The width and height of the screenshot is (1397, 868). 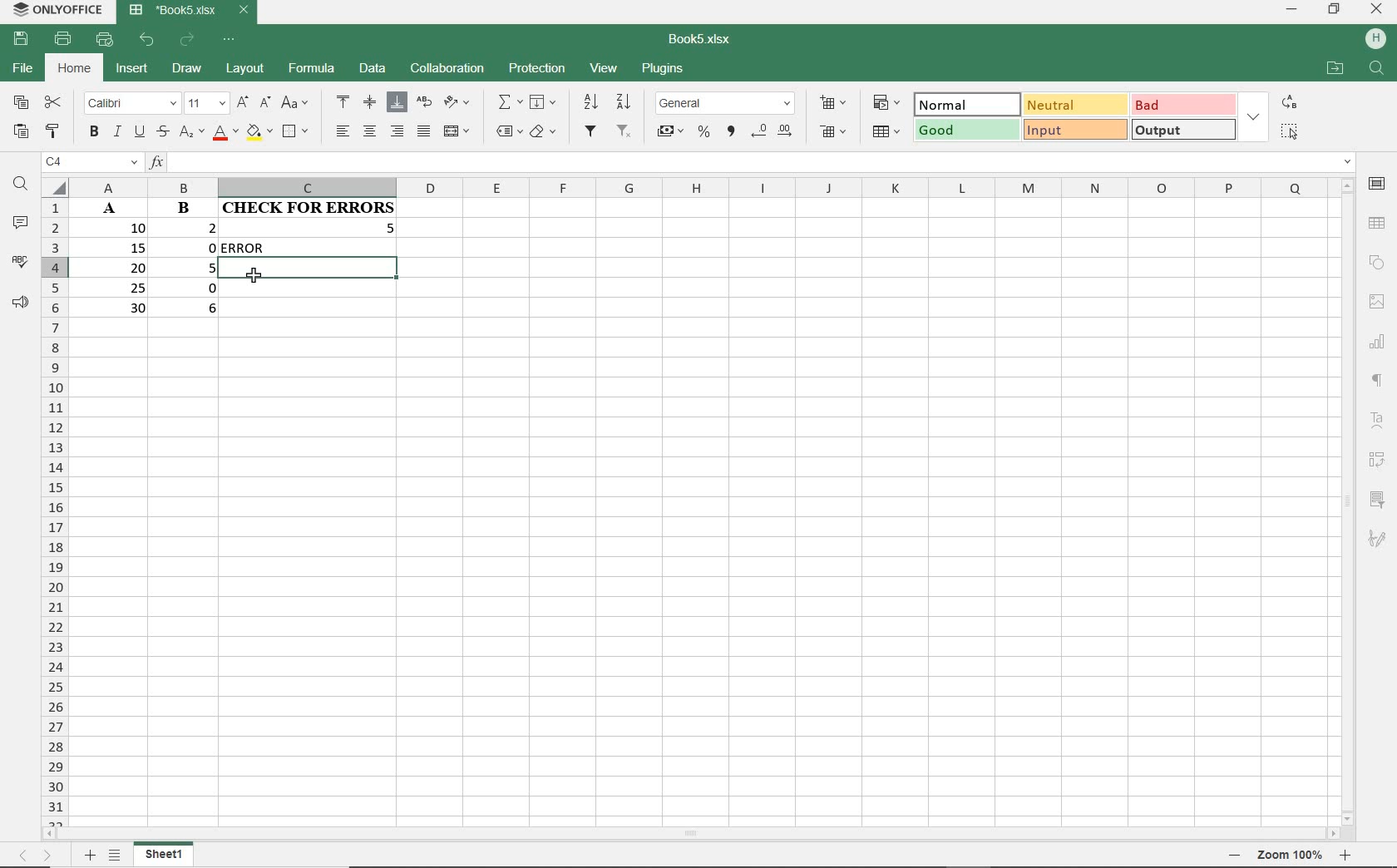 I want to click on , so click(x=90, y=855).